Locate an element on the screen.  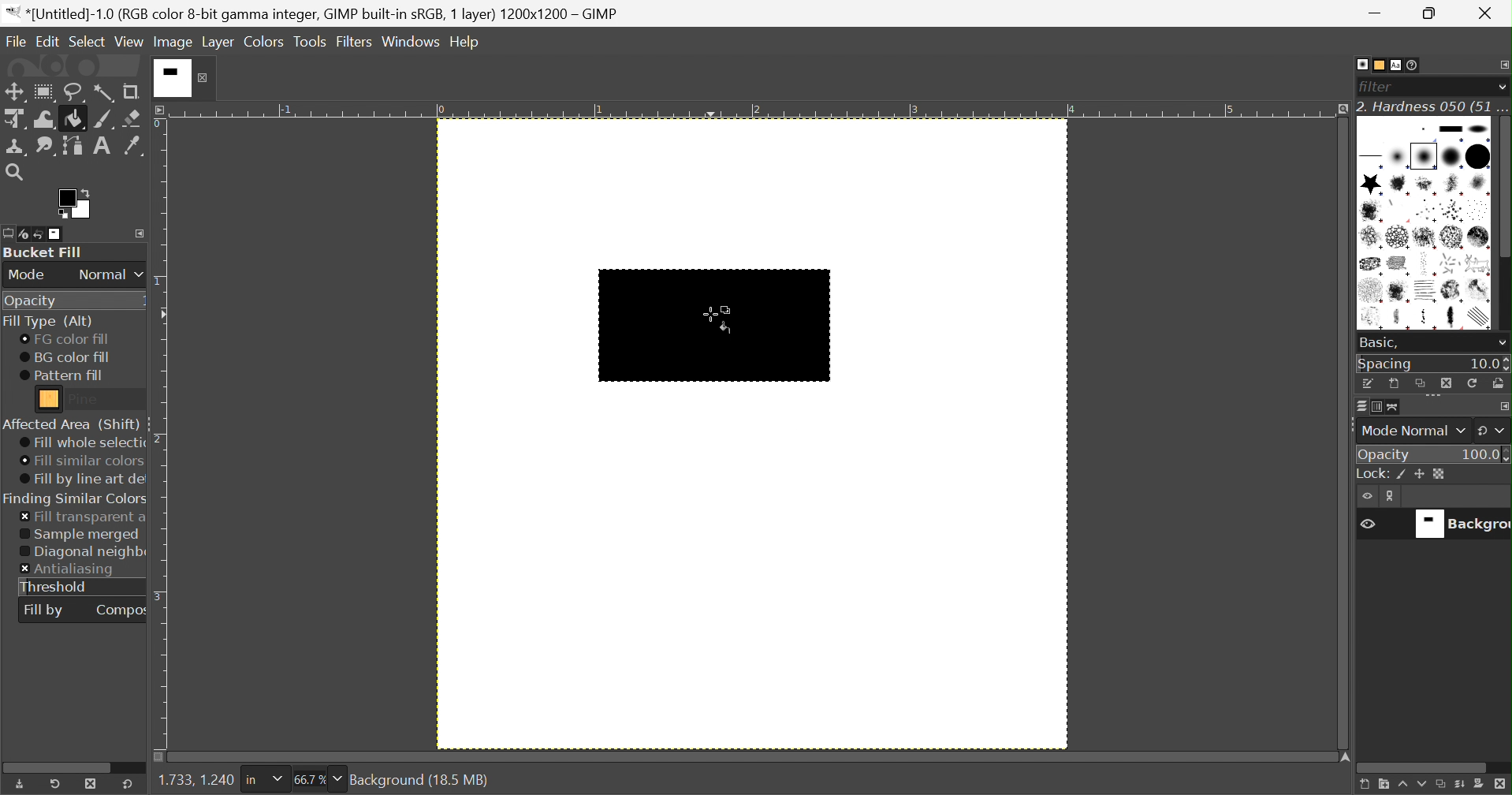
Hardness 075 is located at coordinates (1477, 156).